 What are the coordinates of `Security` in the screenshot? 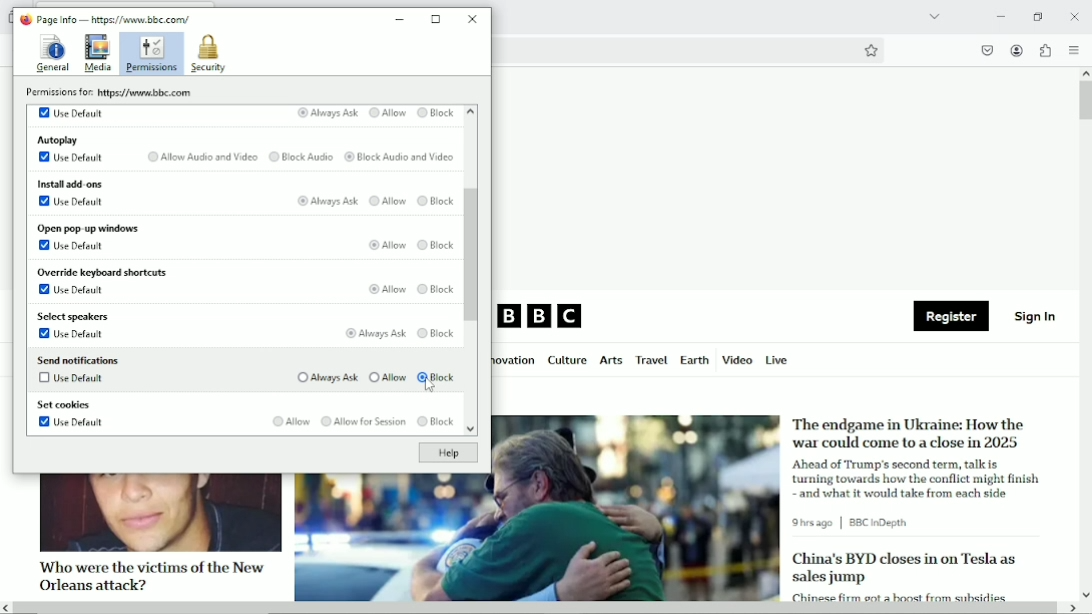 It's located at (208, 54).